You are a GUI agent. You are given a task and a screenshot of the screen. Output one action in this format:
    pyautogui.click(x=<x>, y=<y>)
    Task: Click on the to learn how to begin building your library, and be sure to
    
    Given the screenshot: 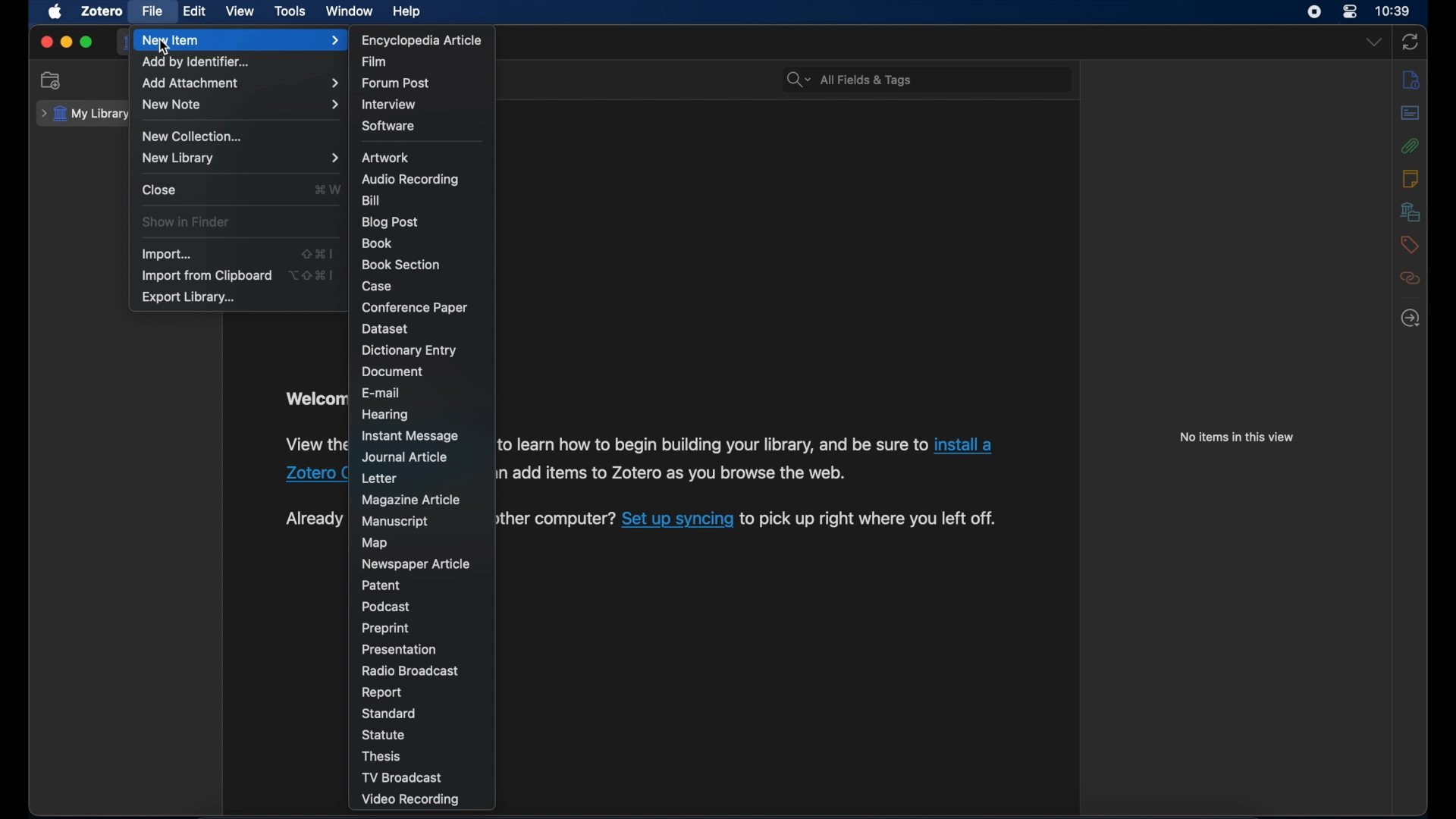 What is the action you would take?
    pyautogui.click(x=713, y=444)
    